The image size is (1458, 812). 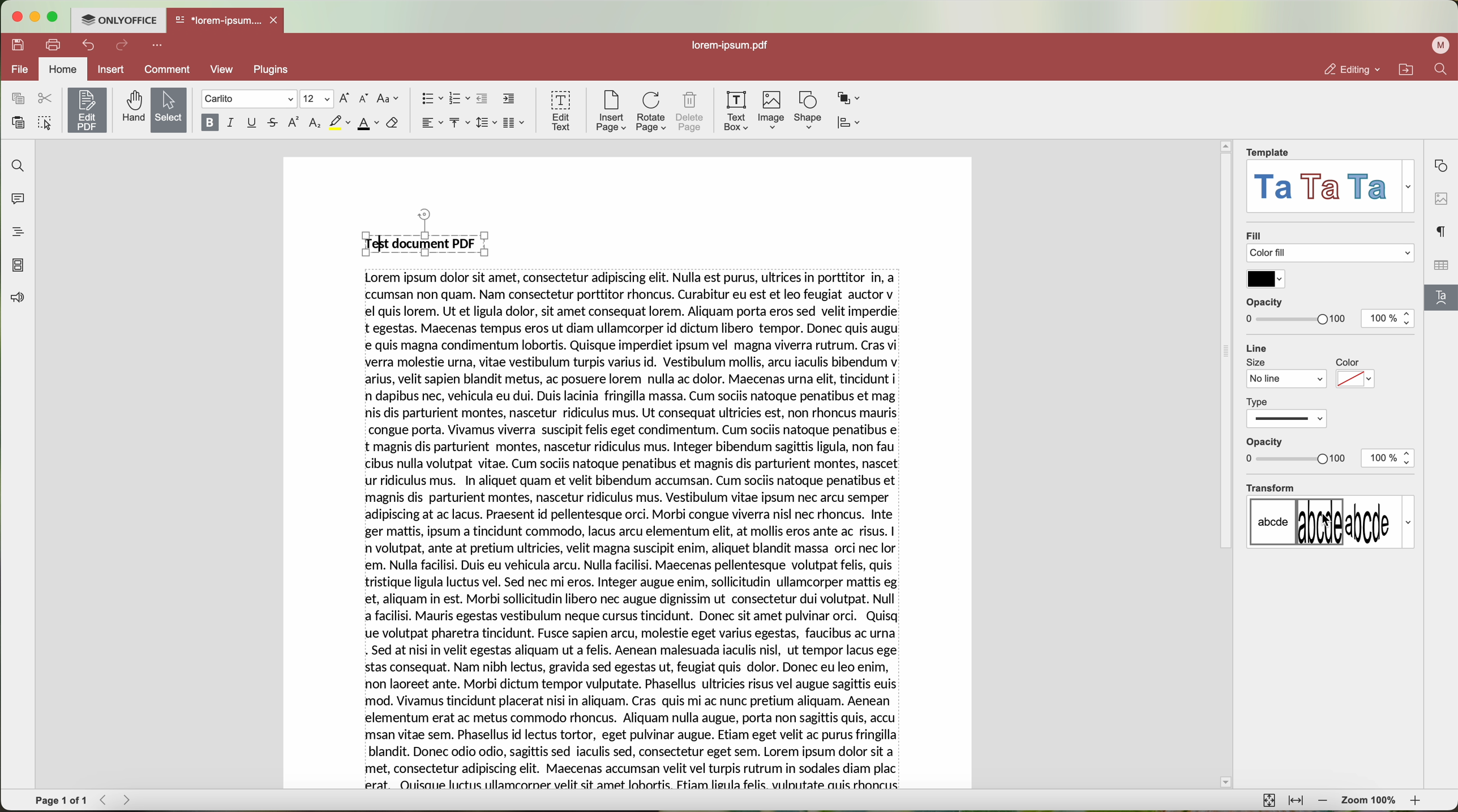 I want to click on numbered list, so click(x=460, y=99).